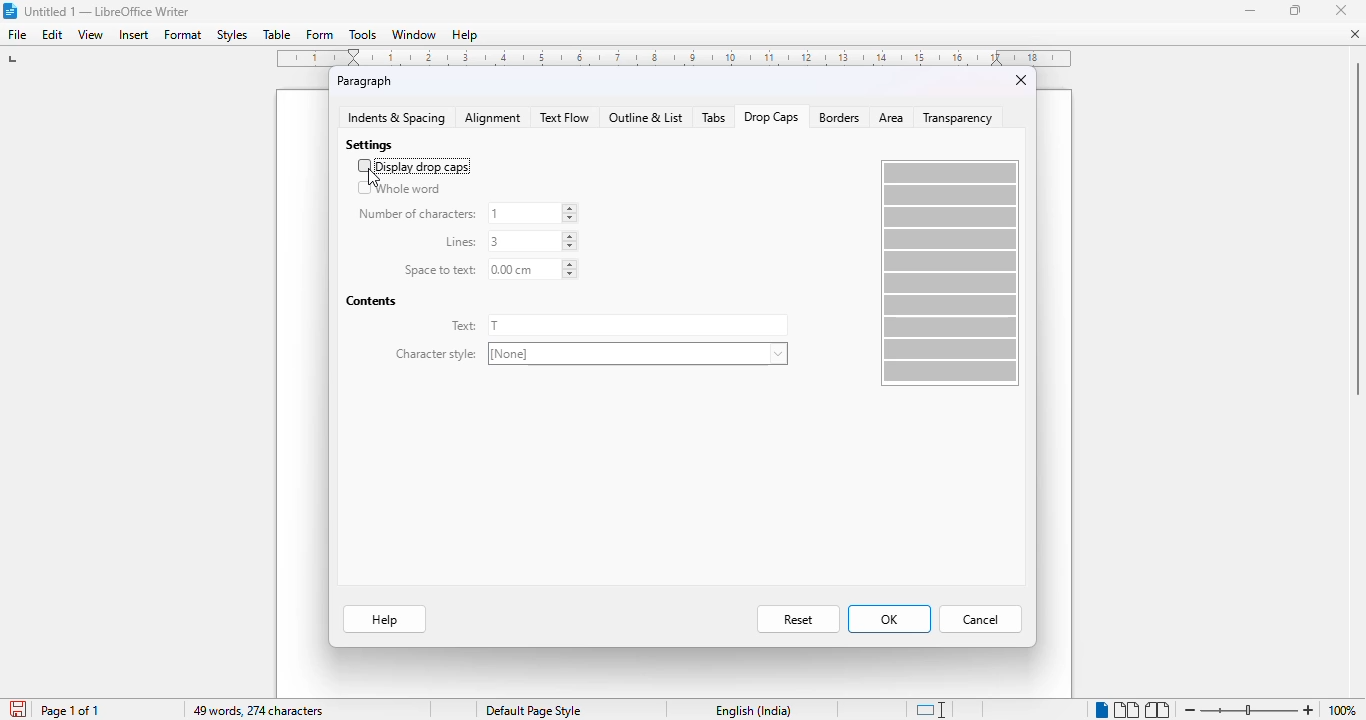  Describe the element at coordinates (951, 275) in the screenshot. I see `preview box` at that location.